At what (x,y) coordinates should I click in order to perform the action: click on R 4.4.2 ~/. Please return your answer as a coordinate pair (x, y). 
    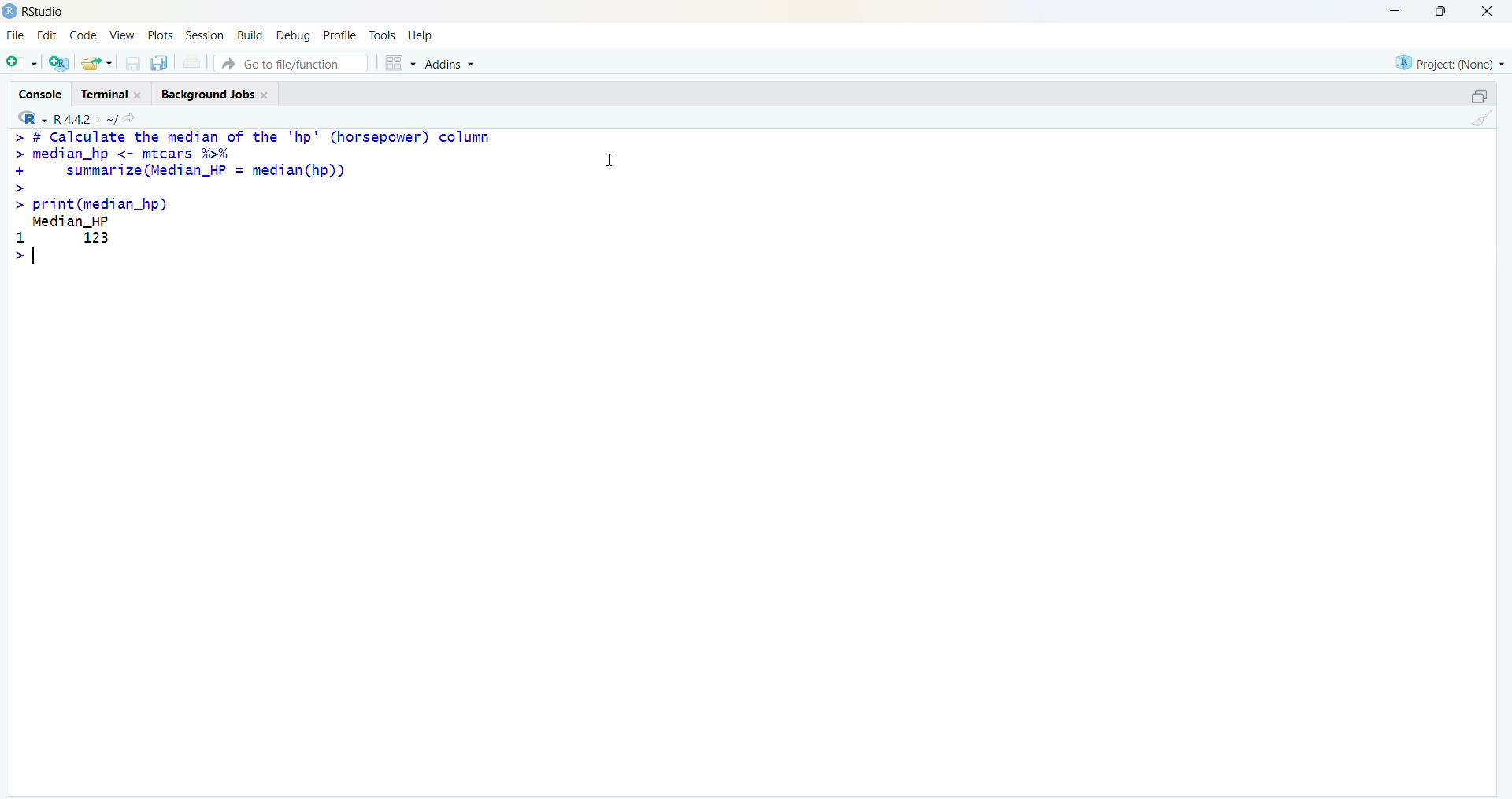
    Looking at the image, I should click on (87, 119).